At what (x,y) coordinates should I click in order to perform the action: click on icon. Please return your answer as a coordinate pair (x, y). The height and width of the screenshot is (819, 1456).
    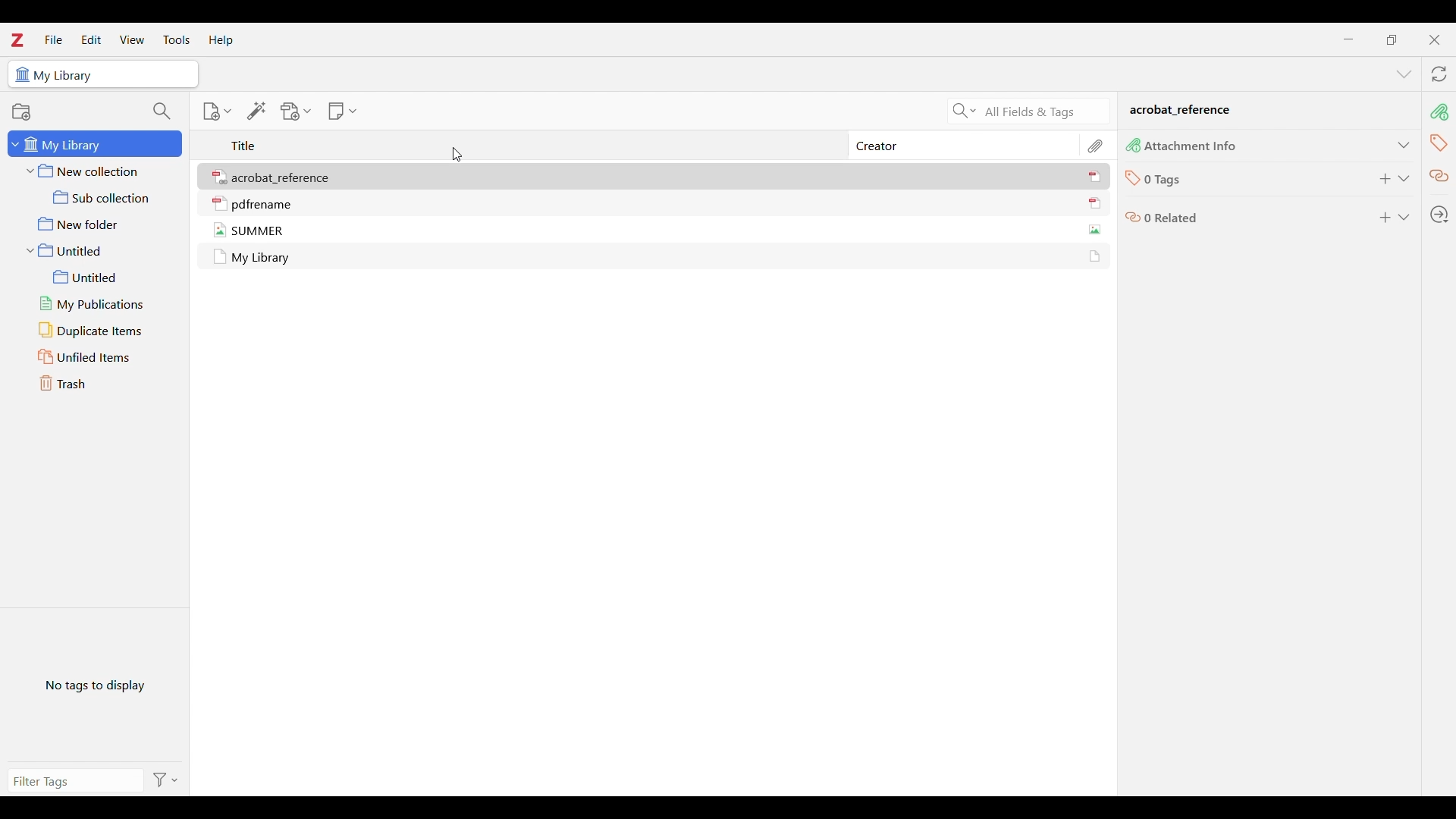
    Looking at the image, I should click on (1095, 229).